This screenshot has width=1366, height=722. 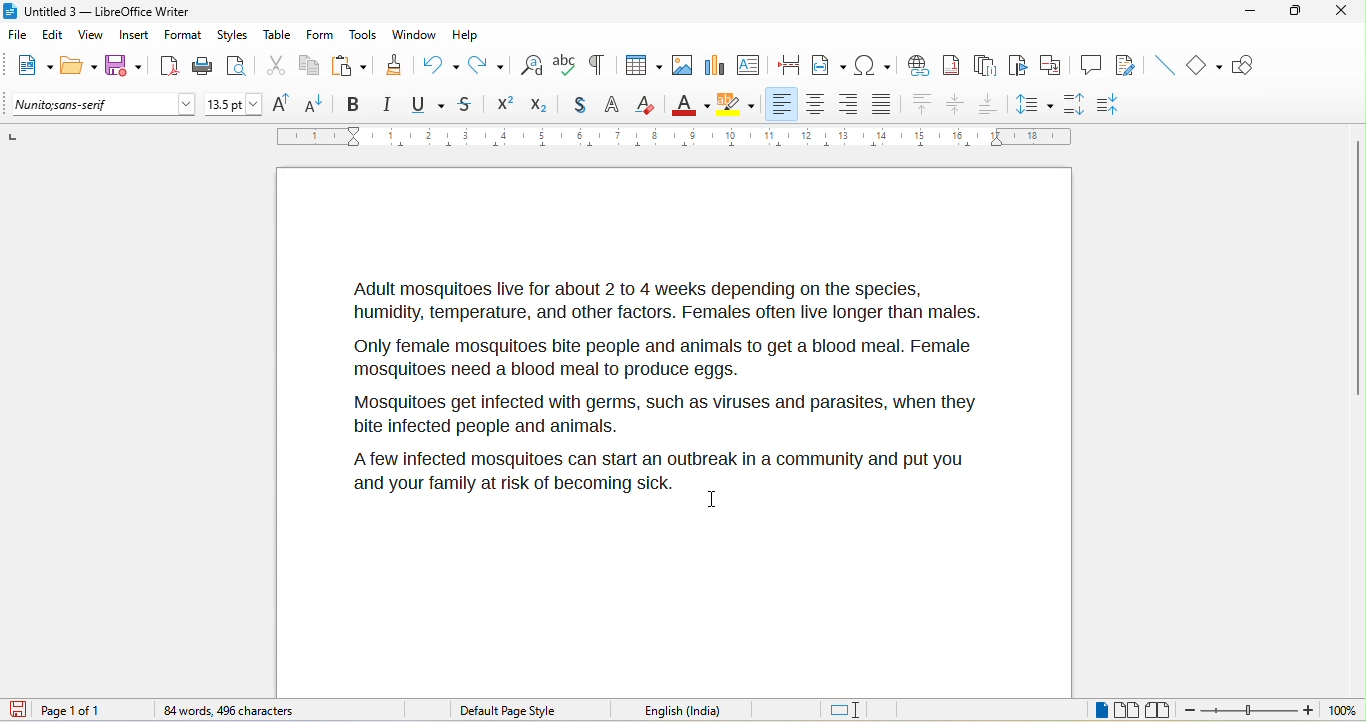 What do you see at coordinates (91, 38) in the screenshot?
I see `view` at bounding box center [91, 38].